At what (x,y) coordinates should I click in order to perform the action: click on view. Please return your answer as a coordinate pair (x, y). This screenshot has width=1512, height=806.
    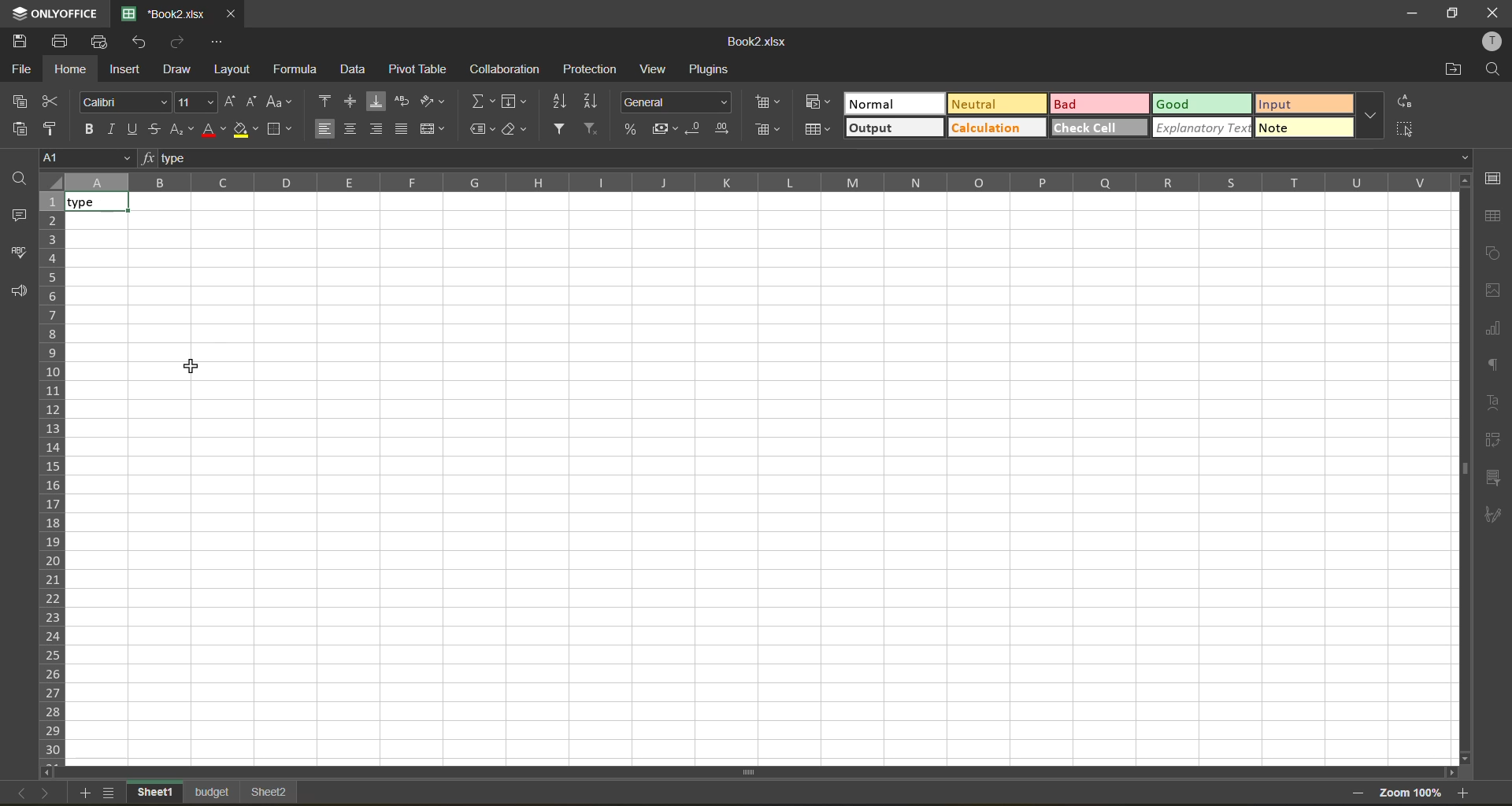
    Looking at the image, I should click on (654, 69).